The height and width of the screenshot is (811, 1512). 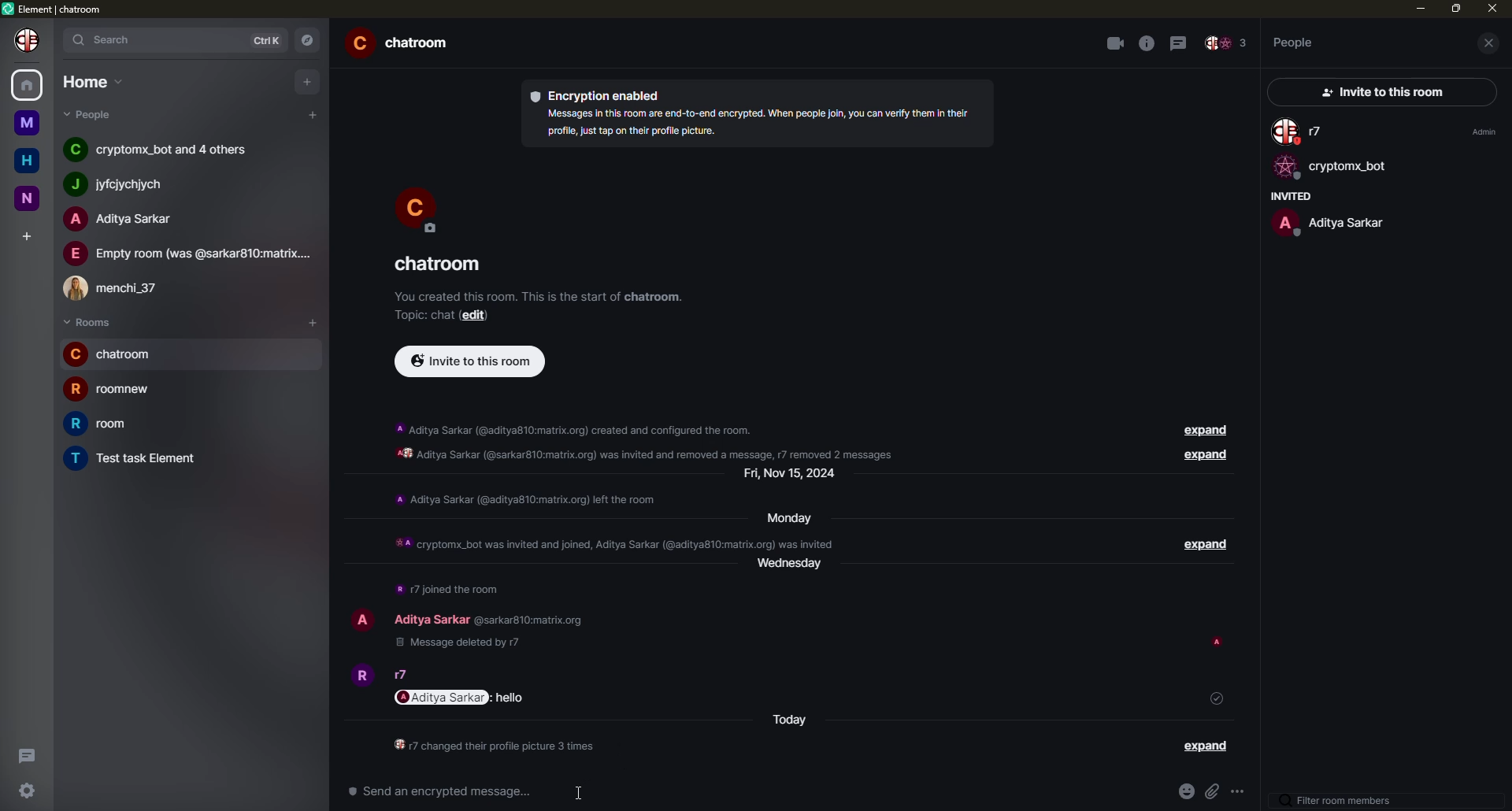 What do you see at coordinates (473, 316) in the screenshot?
I see `edit` at bounding box center [473, 316].